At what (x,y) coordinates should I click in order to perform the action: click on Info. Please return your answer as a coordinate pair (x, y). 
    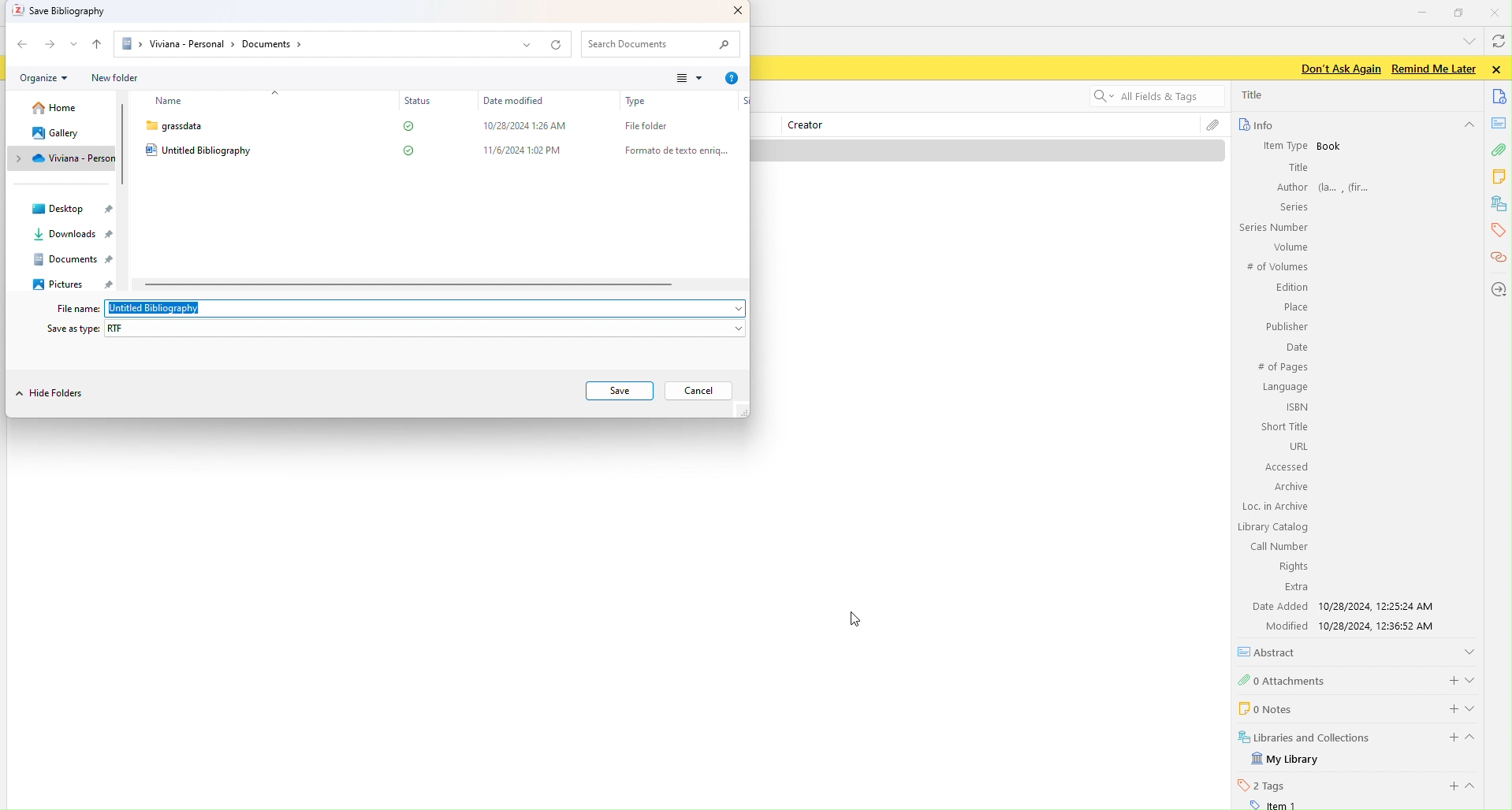
    Looking at the image, I should click on (1255, 124).